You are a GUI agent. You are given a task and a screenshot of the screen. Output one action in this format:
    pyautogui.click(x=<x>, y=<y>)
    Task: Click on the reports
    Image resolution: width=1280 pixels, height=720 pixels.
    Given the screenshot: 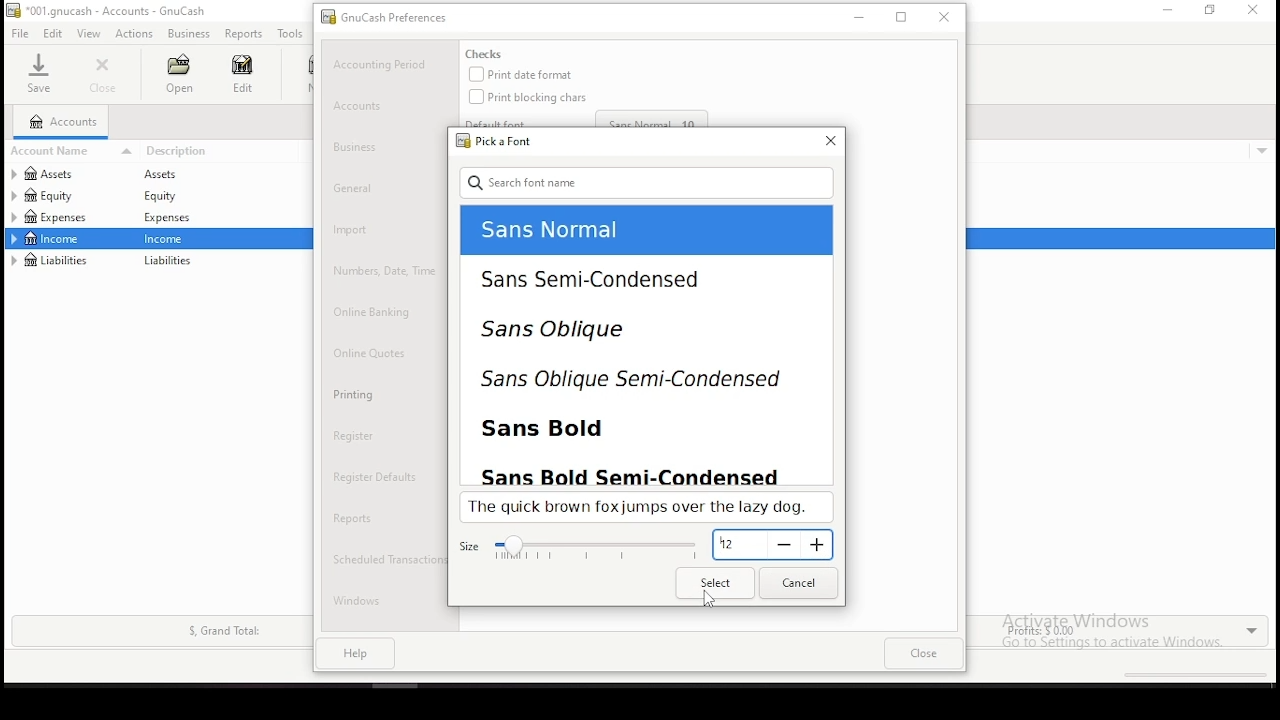 What is the action you would take?
    pyautogui.click(x=243, y=34)
    